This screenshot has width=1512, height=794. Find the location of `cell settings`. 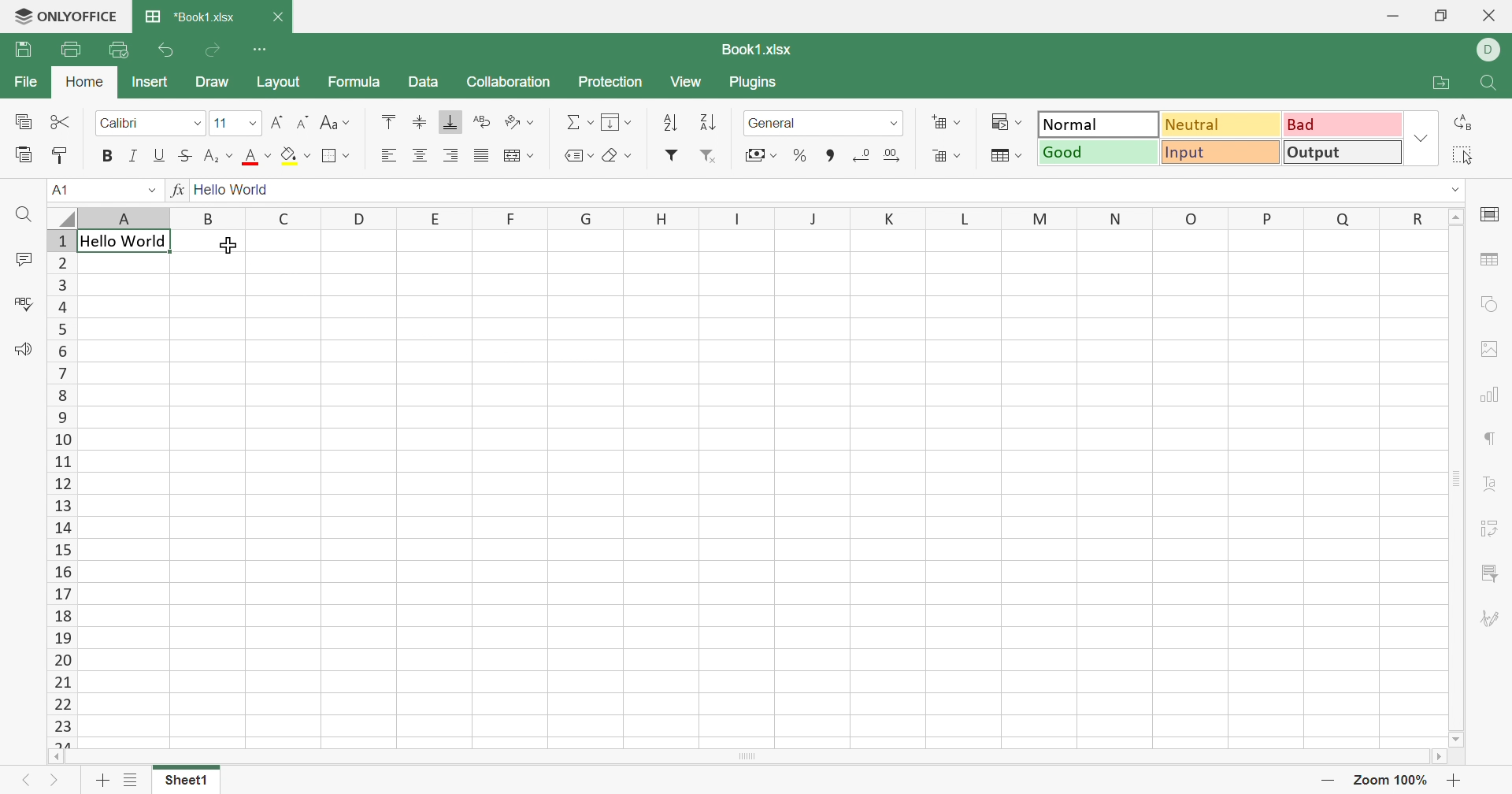

cell settings is located at coordinates (1486, 216).